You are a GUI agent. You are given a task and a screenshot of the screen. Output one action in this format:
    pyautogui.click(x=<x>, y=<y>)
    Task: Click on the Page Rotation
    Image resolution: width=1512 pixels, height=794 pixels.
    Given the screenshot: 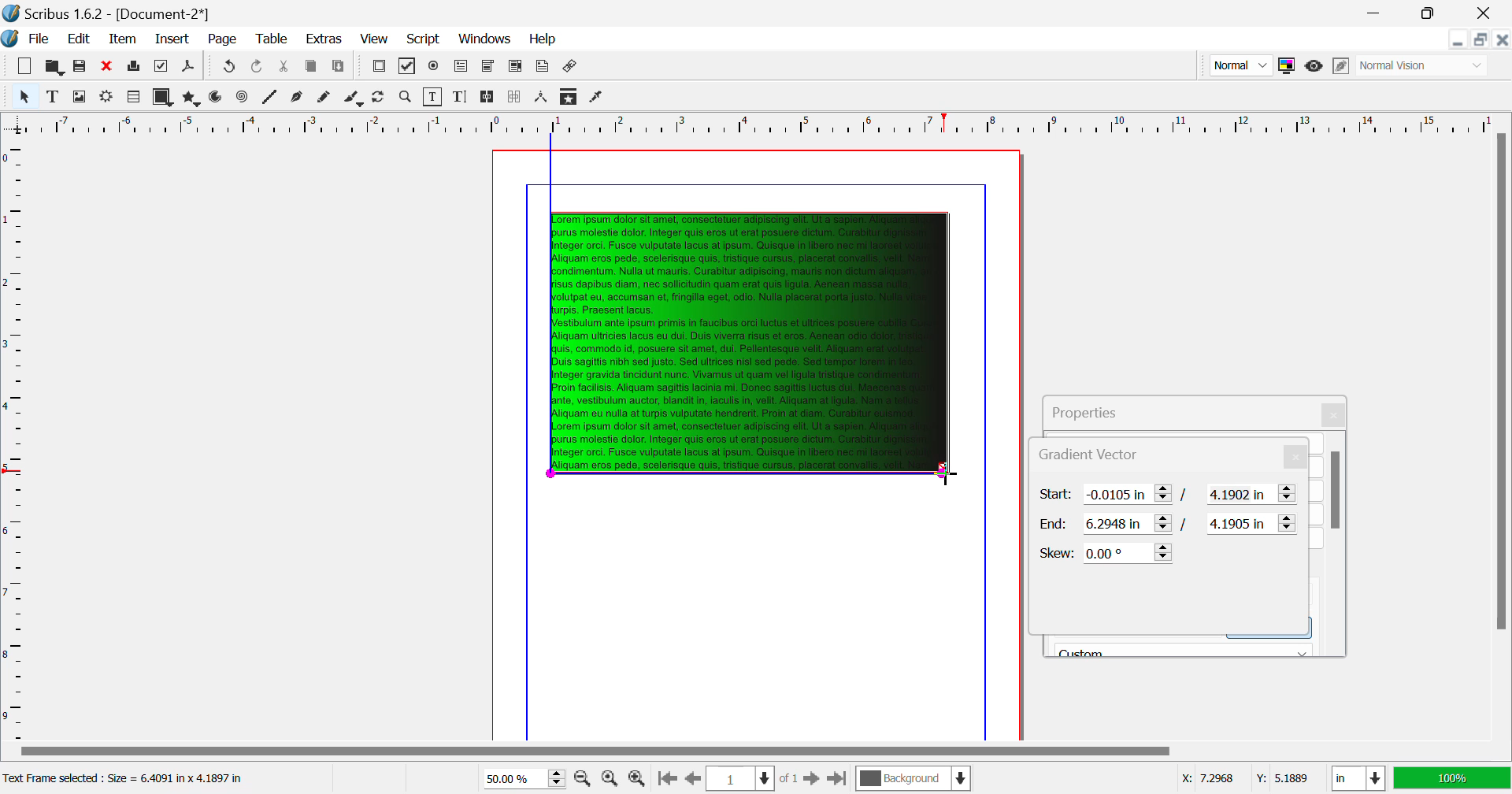 What is the action you would take?
    pyautogui.click(x=382, y=98)
    